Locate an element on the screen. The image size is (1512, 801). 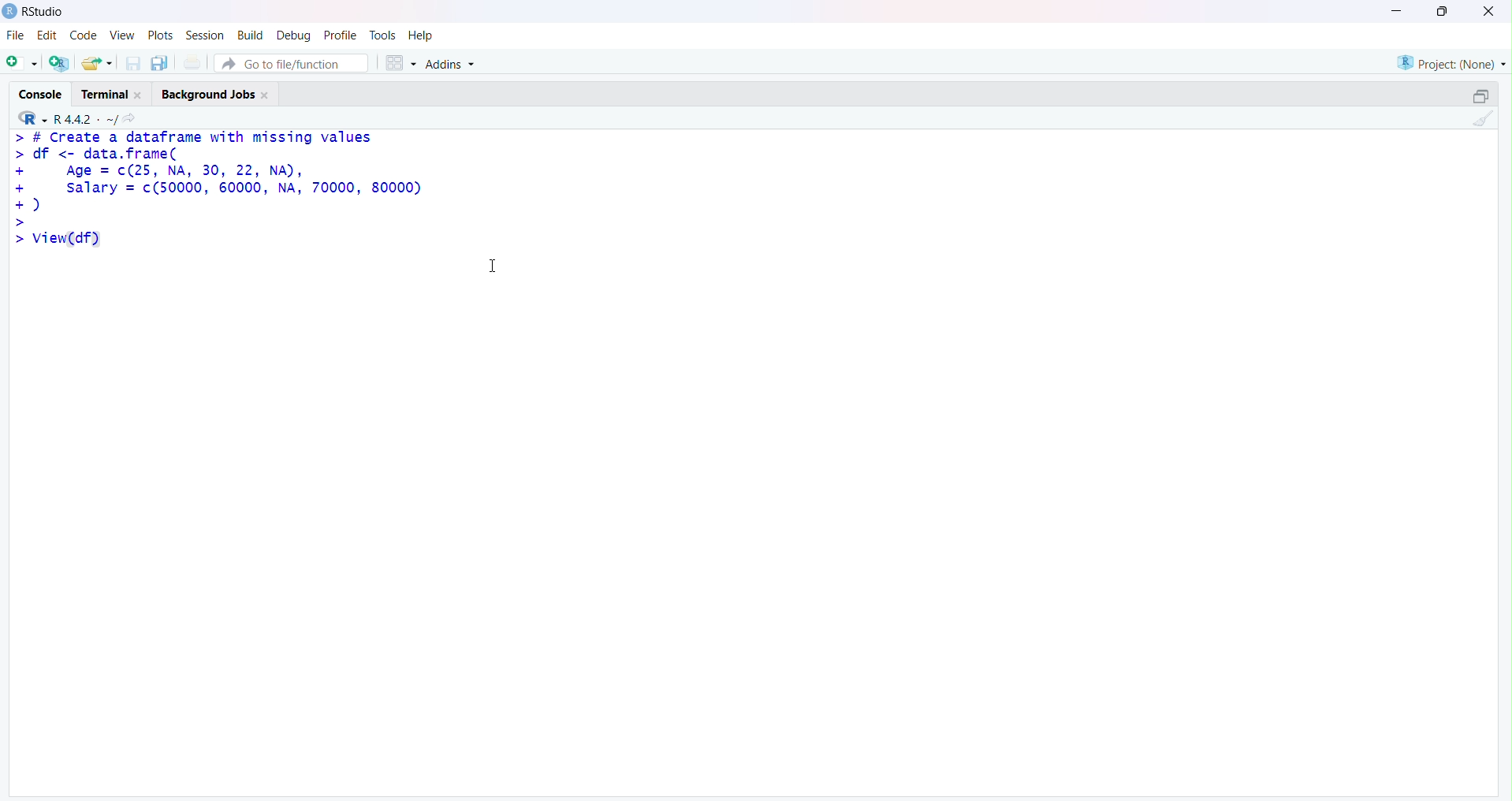
Clsoe is located at coordinates (1489, 12).